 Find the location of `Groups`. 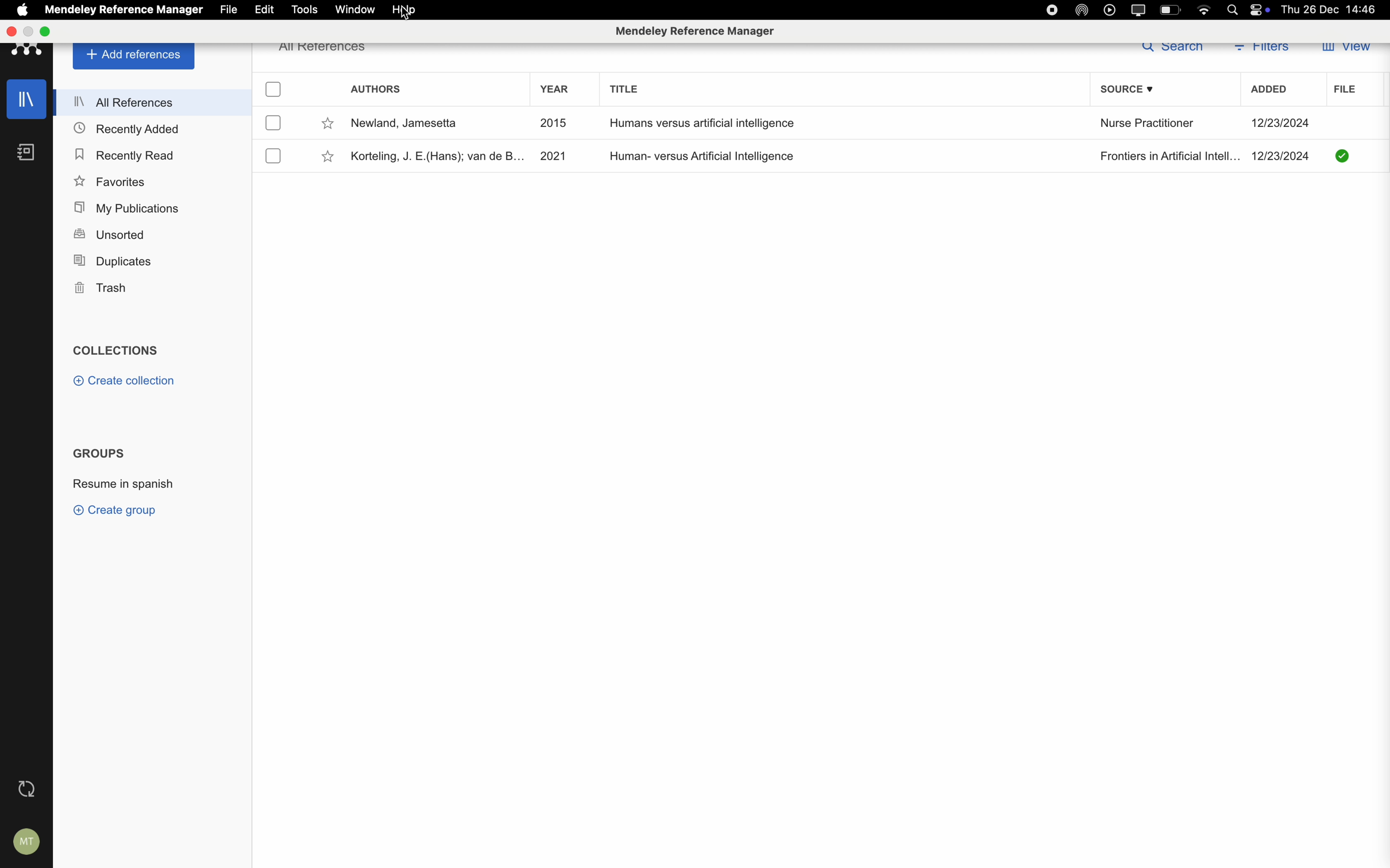

Groups is located at coordinates (100, 451).